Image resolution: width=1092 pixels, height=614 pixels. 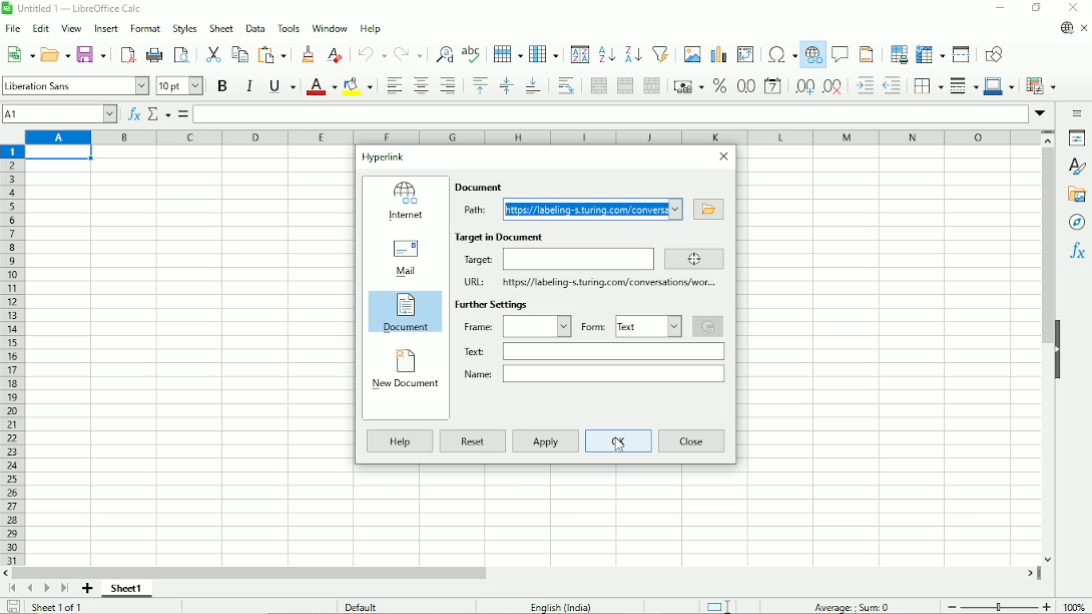 I want to click on Scroll to last sheet, so click(x=63, y=589).